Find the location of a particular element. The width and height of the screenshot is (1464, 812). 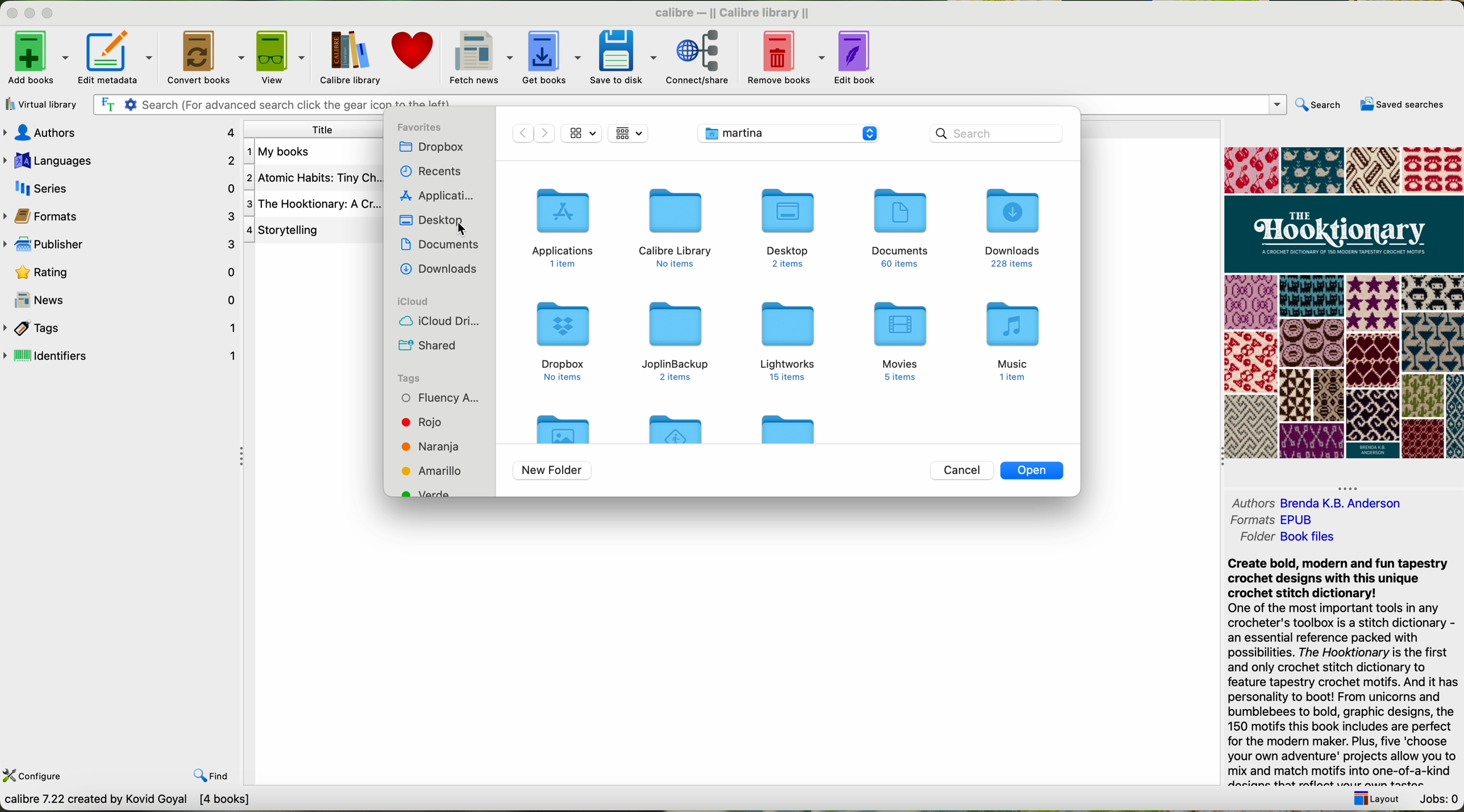

new folder is located at coordinates (552, 471).